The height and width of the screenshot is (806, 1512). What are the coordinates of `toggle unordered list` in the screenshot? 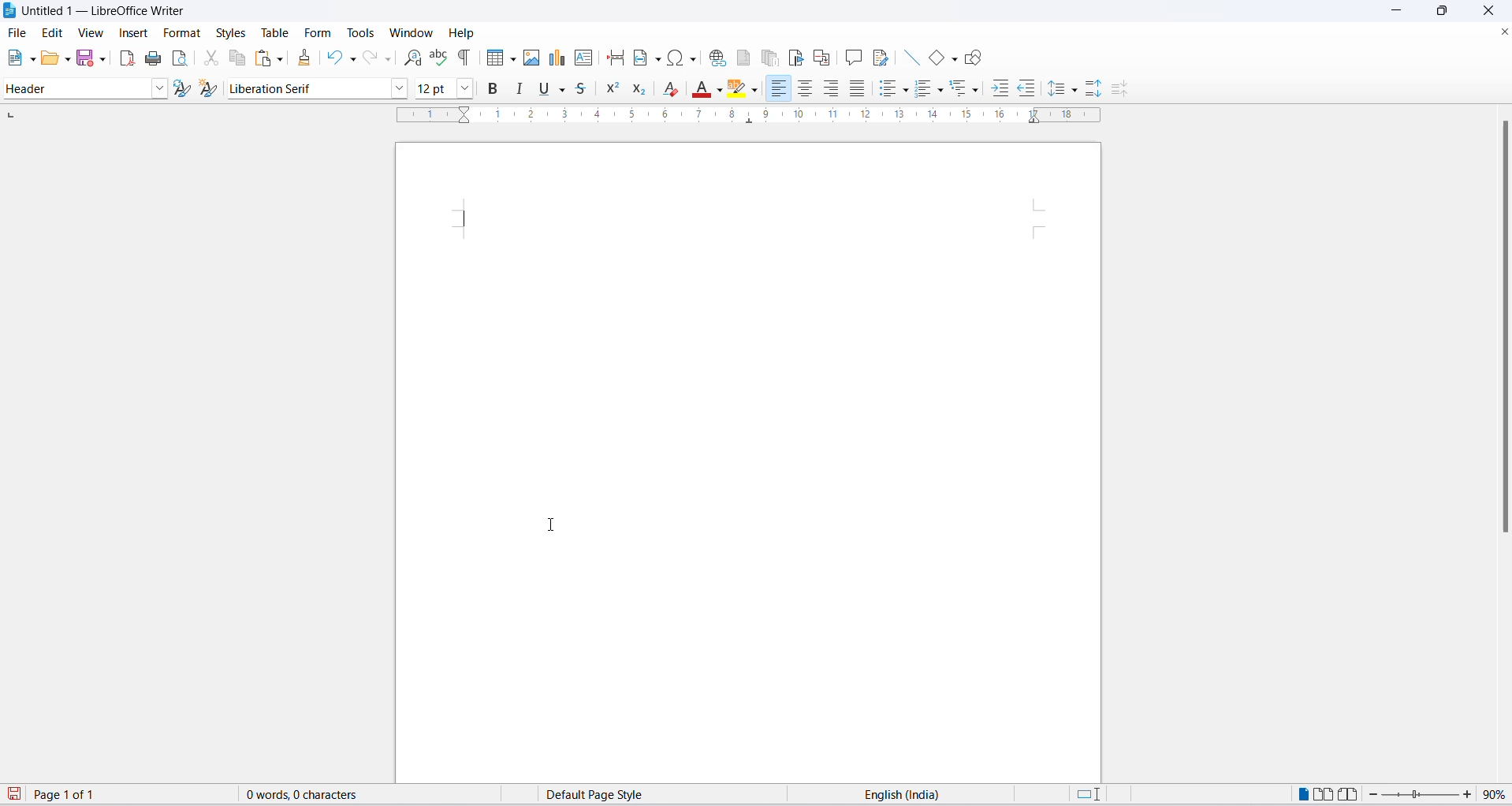 It's located at (906, 91).